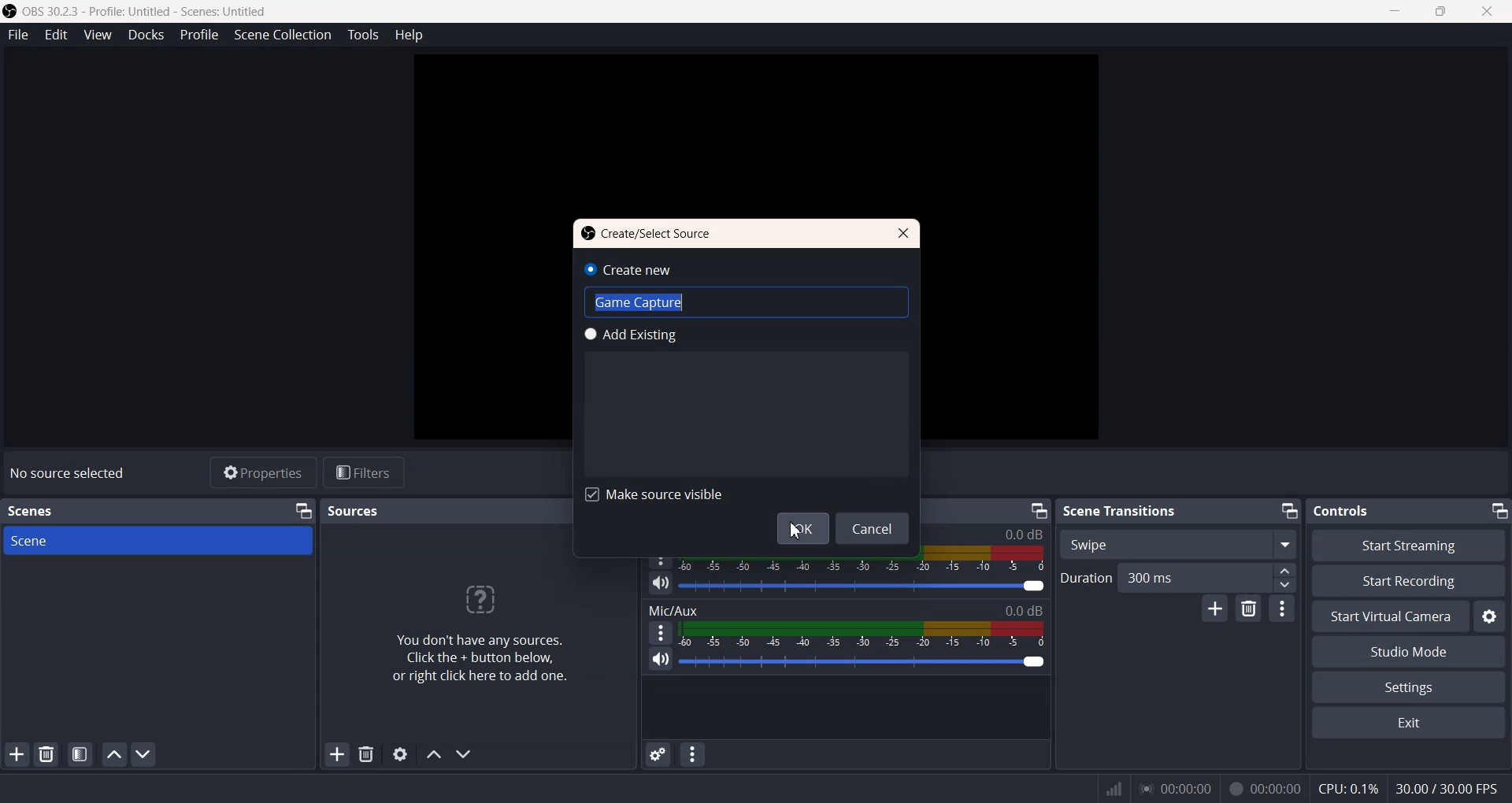 Image resolution: width=1512 pixels, height=803 pixels. What do you see at coordinates (1392, 12) in the screenshot?
I see `Minimize` at bounding box center [1392, 12].